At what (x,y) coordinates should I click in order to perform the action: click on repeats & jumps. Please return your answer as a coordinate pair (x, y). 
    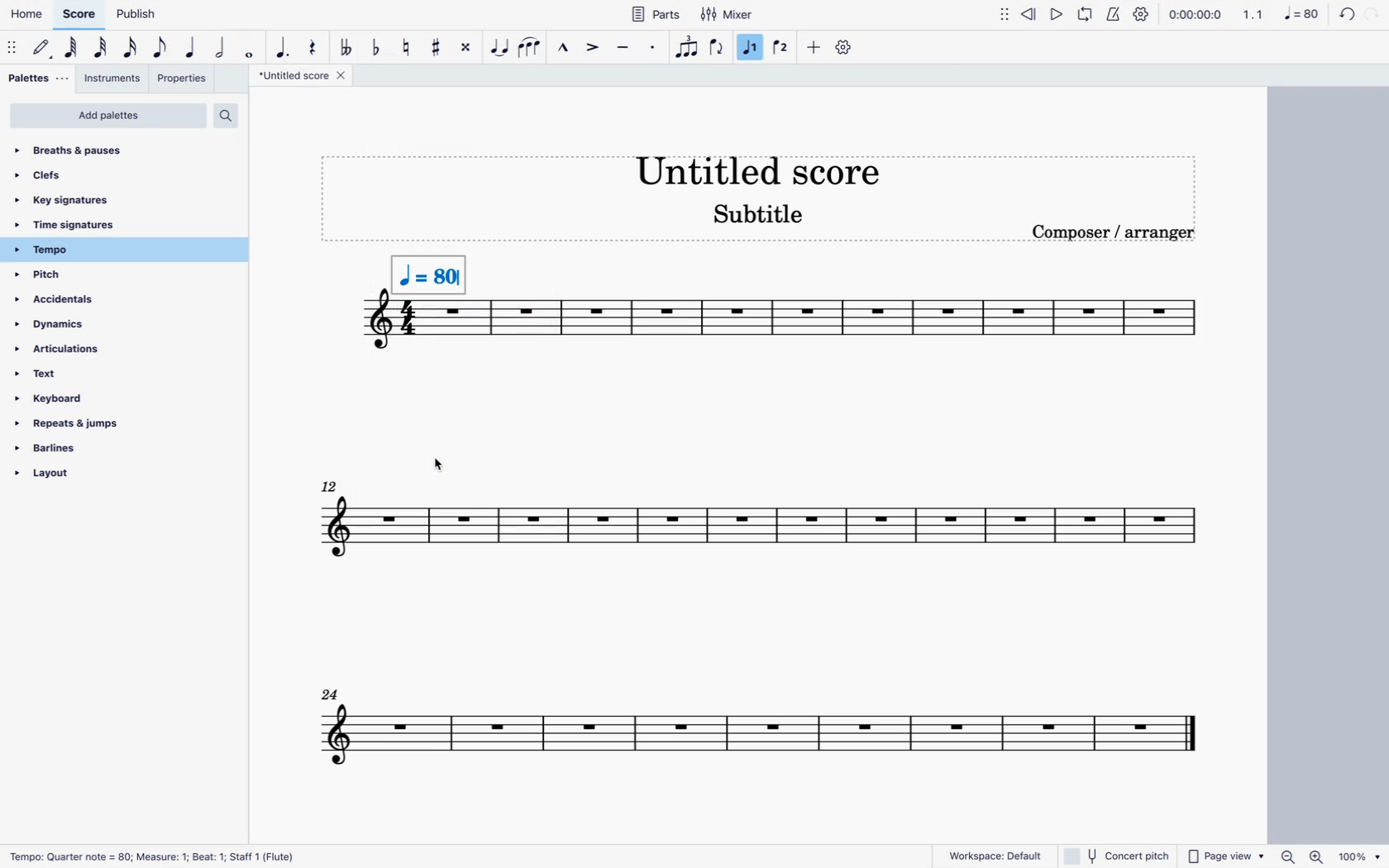
    Looking at the image, I should click on (80, 427).